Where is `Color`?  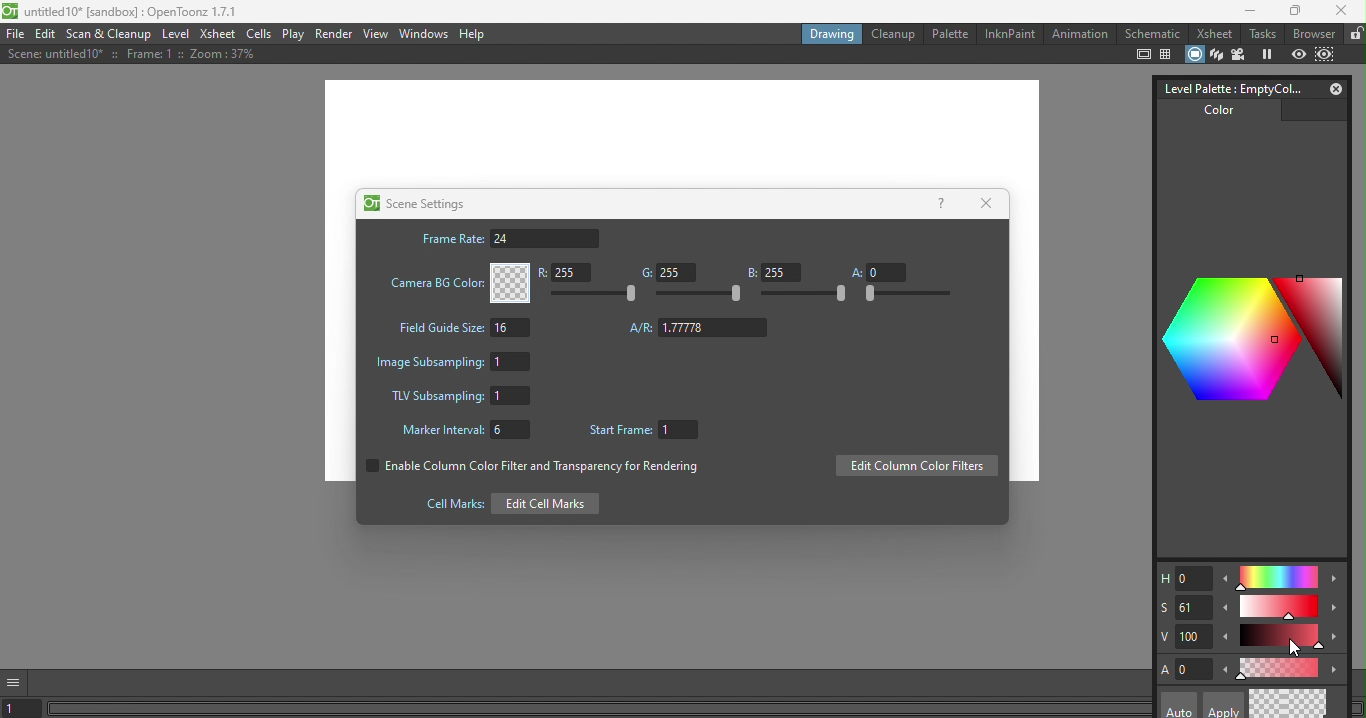
Color is located at coordinates (1213, 115).